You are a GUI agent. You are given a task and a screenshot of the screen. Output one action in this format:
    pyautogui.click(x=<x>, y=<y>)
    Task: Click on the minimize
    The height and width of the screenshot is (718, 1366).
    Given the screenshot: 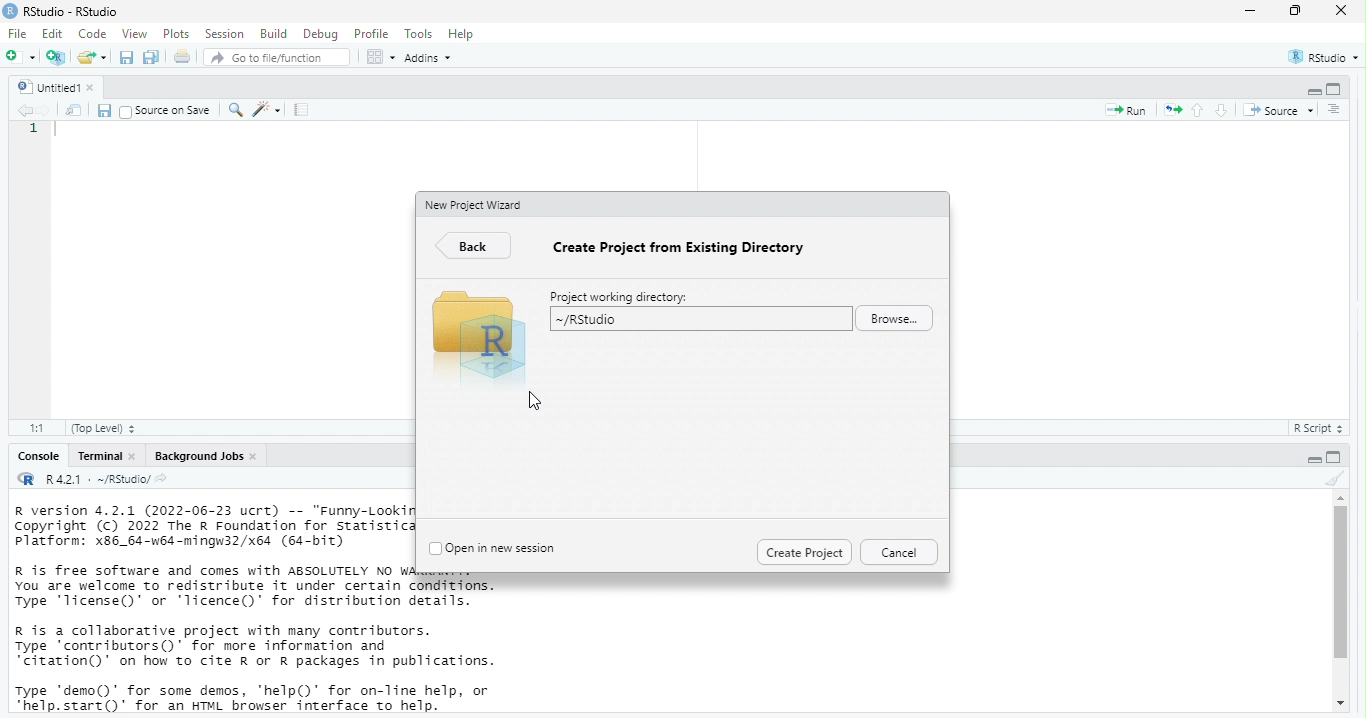 What is the action you would take?
    pyautogui.click(x=1310, y=457)
    